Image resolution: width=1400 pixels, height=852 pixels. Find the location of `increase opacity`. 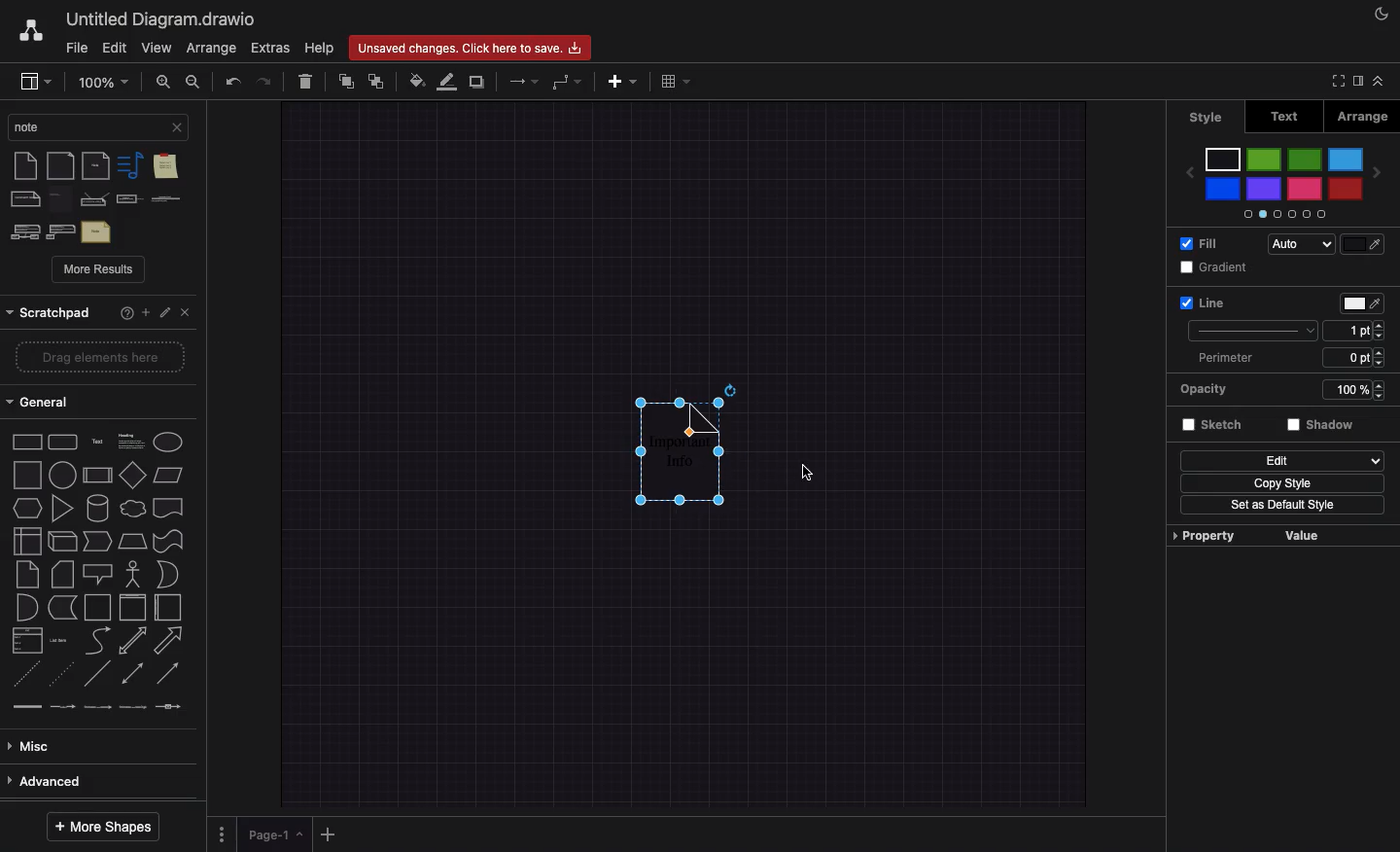

increase opacity is located at coordinates (1379, 382).